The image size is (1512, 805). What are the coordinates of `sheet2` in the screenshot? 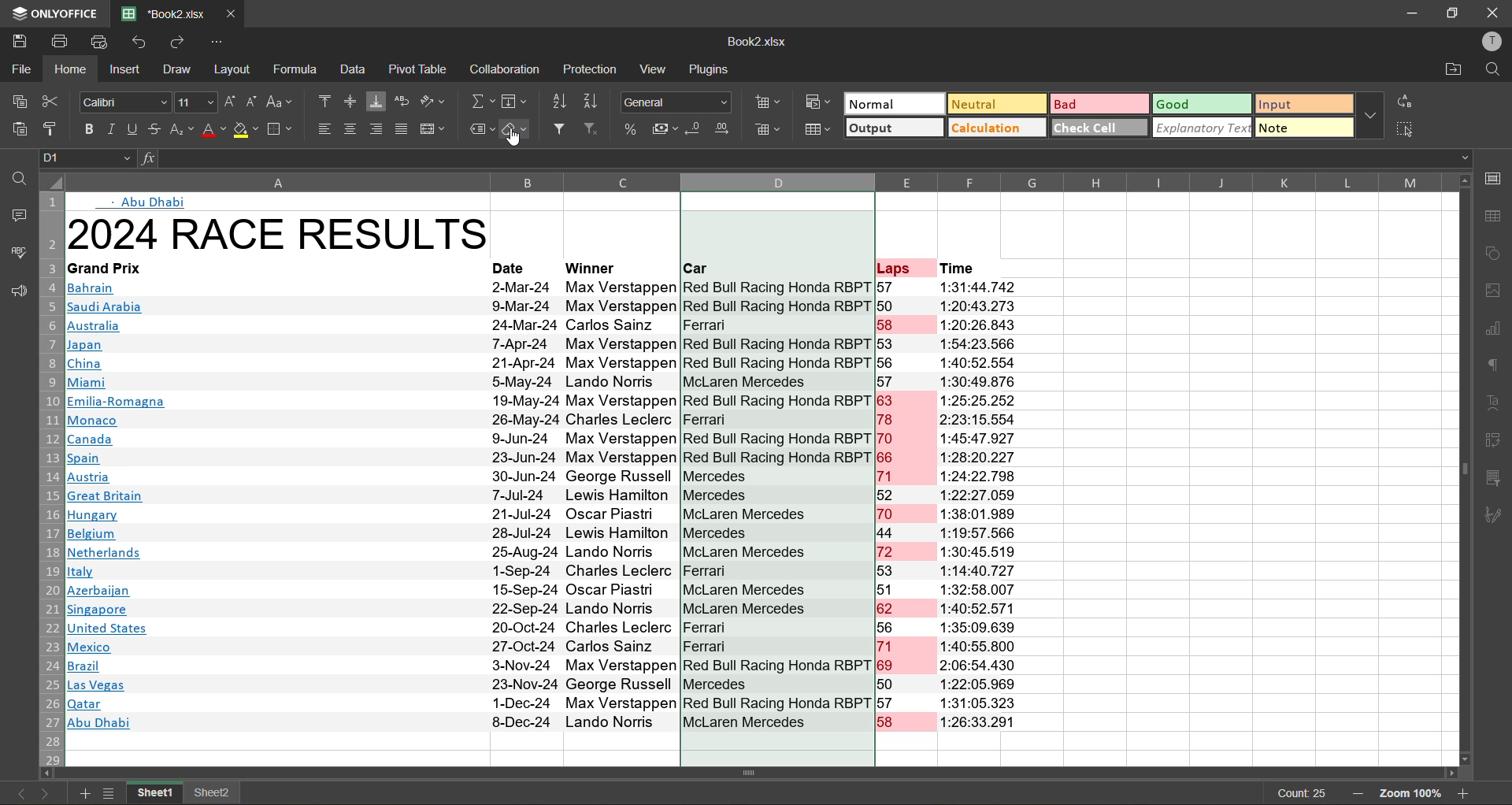 It's located at (213, 794).